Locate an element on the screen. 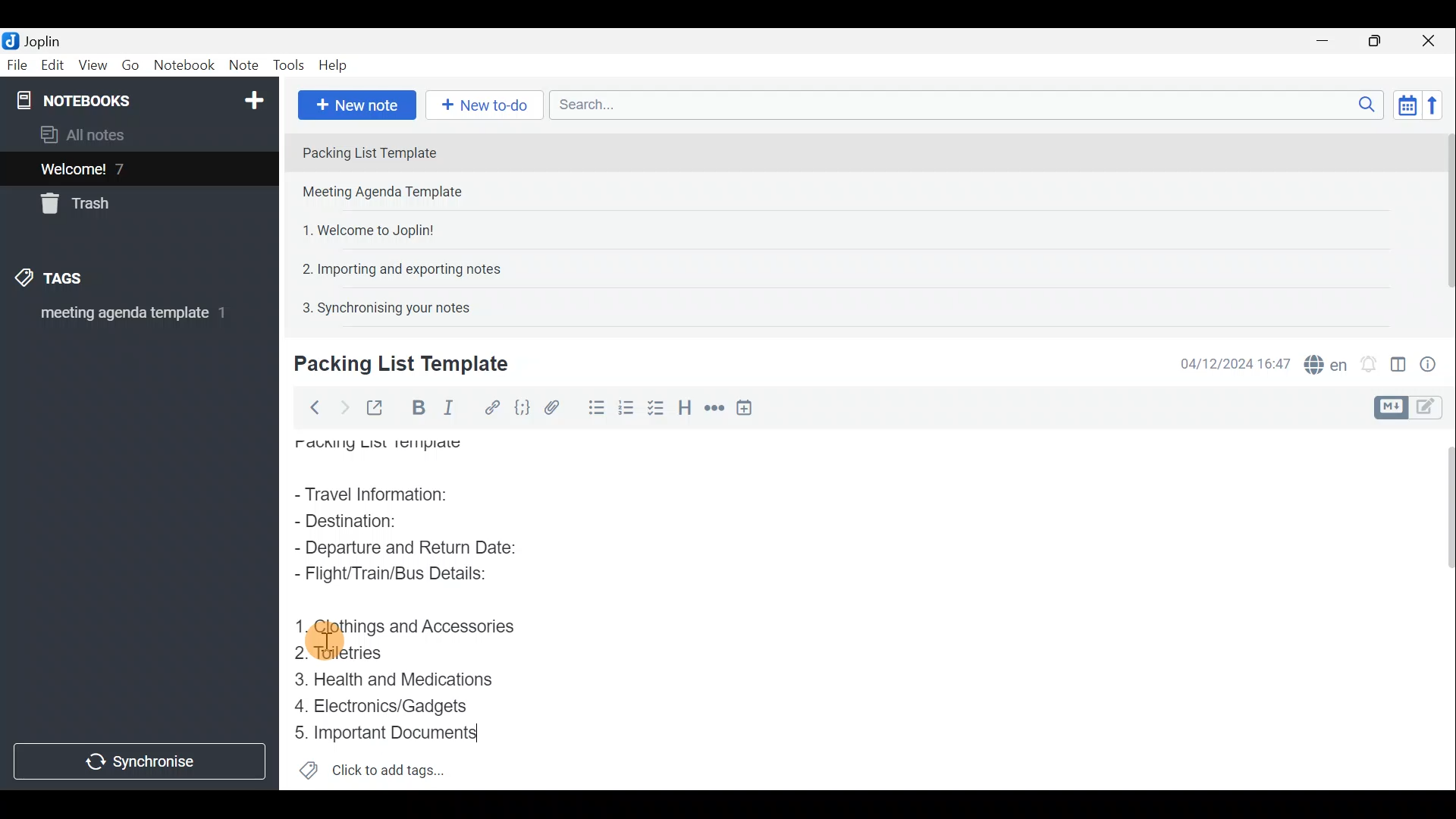 The height and width of the screenshot is (819, 1456). Notebook is located at coordinates (184, 67).